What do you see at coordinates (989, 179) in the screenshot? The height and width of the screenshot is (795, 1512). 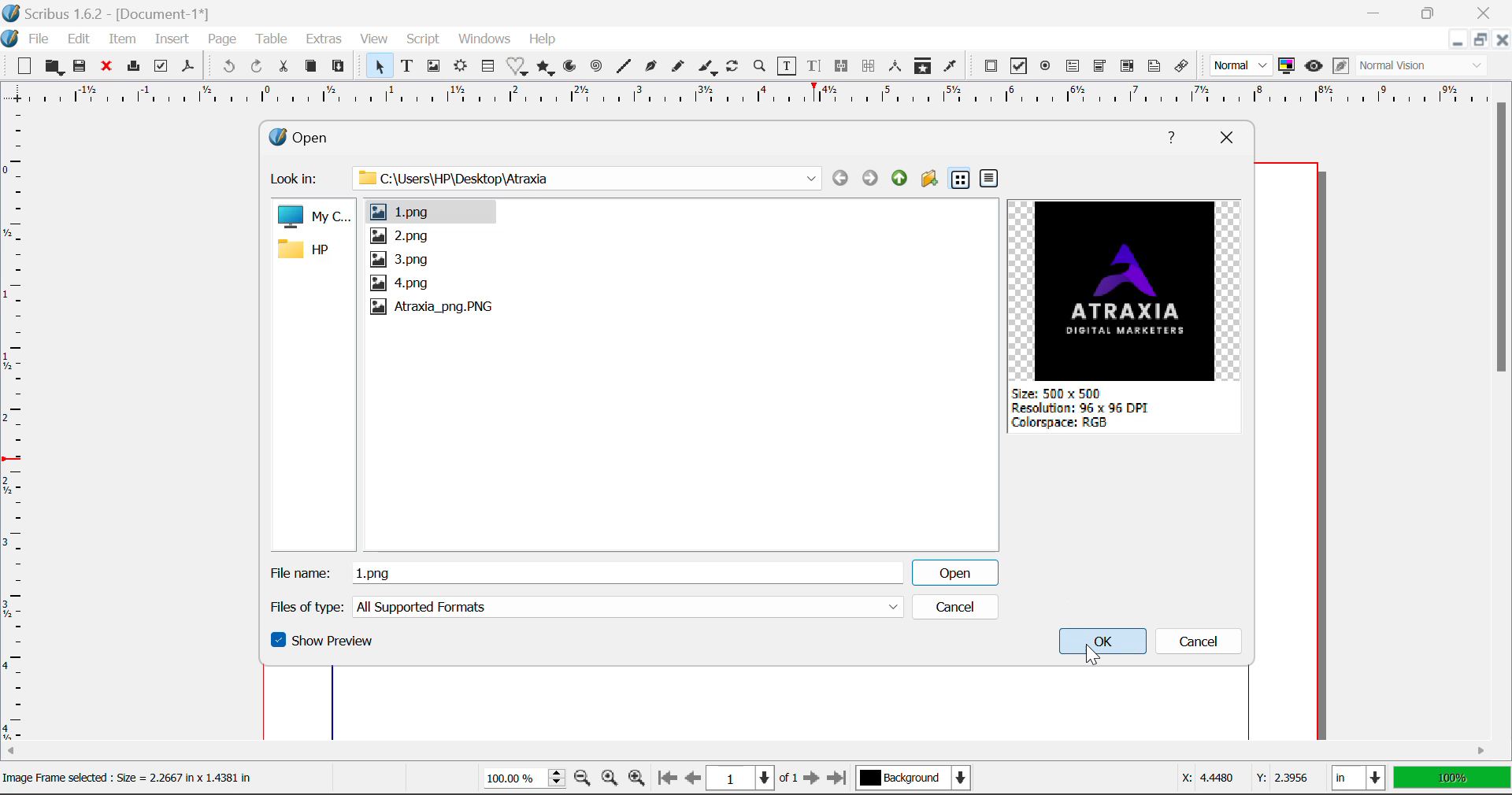 I see `Detail View` at bounding box center [989, 179].